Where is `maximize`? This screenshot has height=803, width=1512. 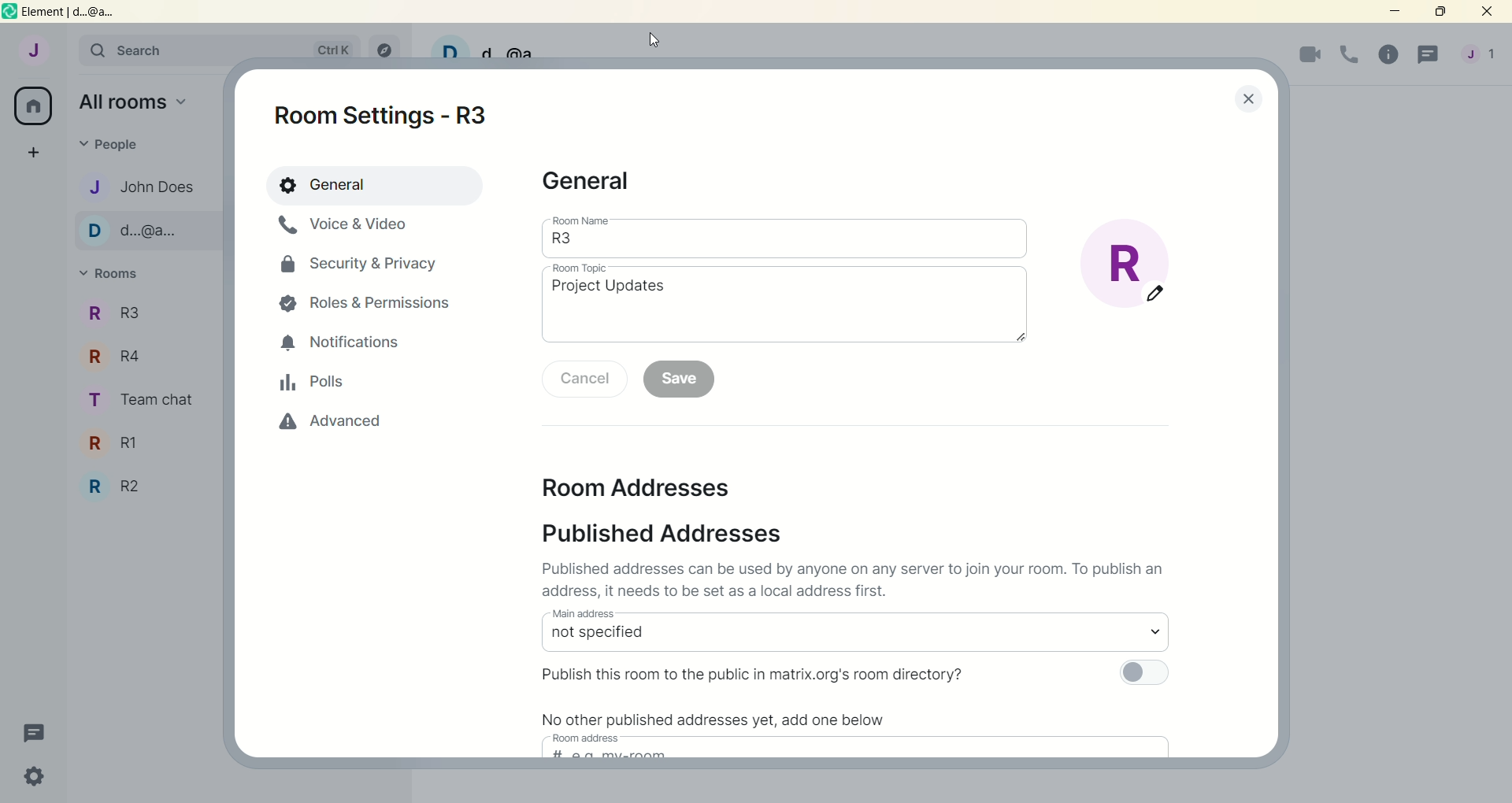 maximize is located at coordinates (1447, 15).